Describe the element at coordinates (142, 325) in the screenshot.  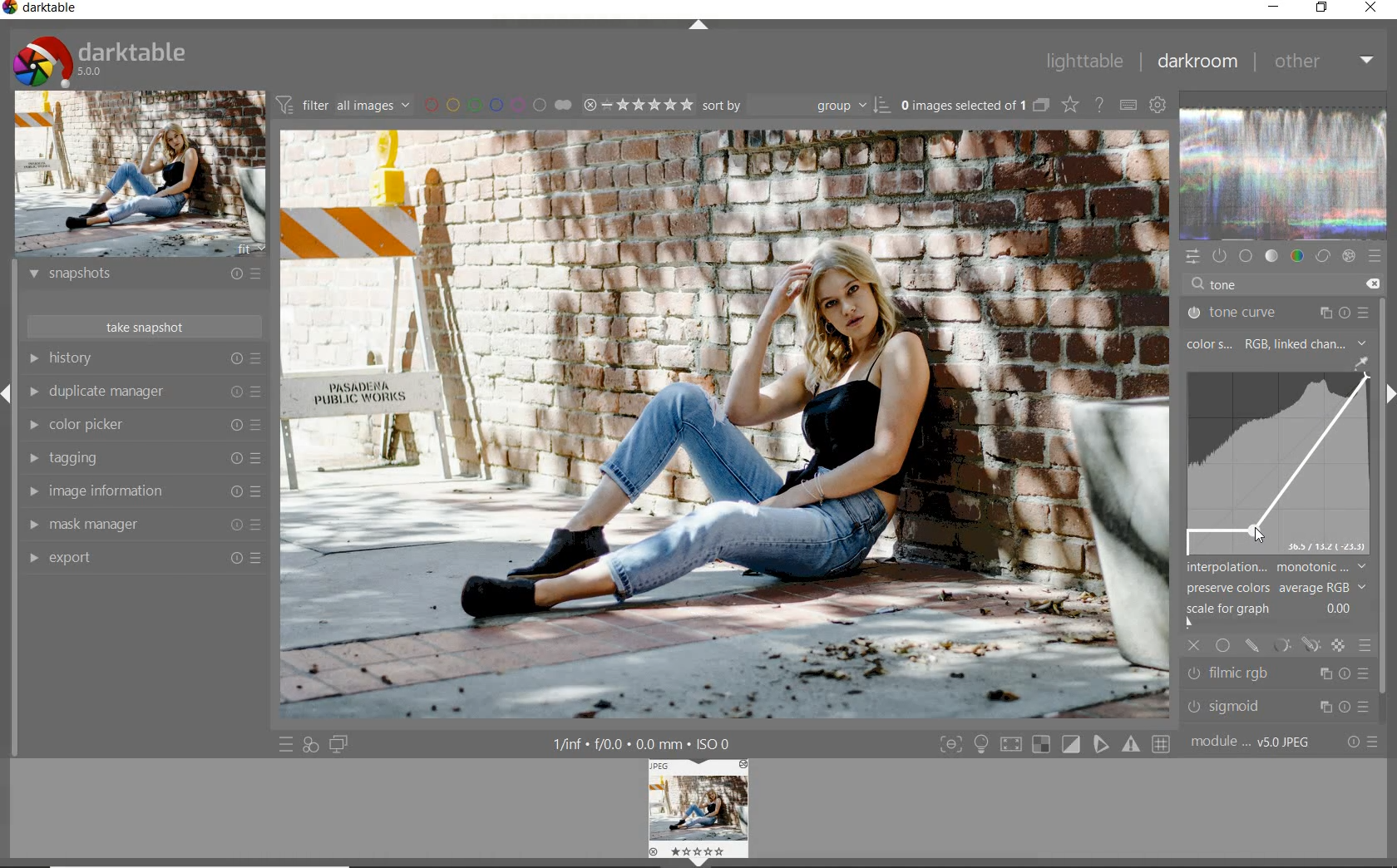
I see `take snapshot` at that location.